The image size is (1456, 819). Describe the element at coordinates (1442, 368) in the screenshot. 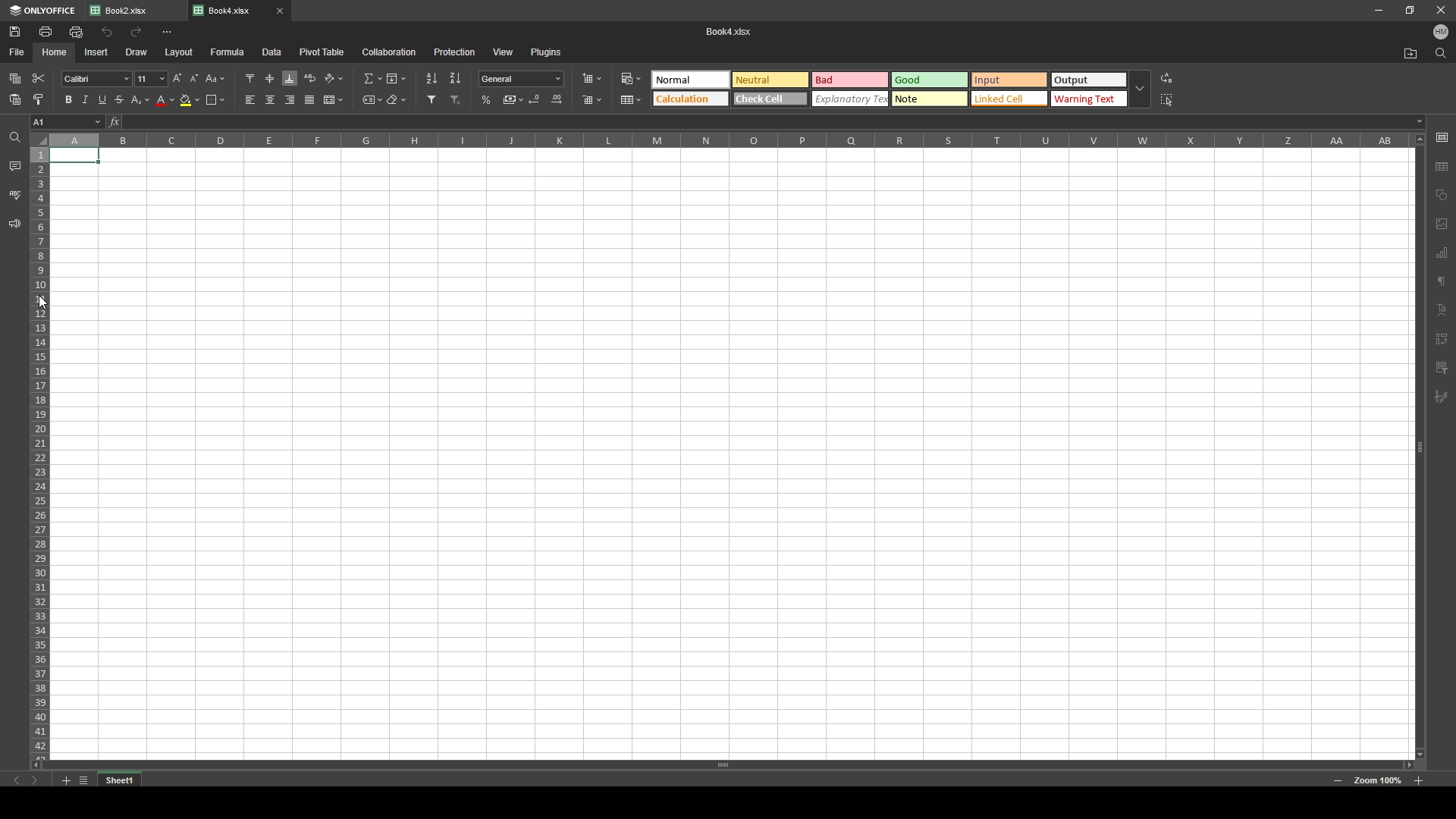

I see `filter` at that location.